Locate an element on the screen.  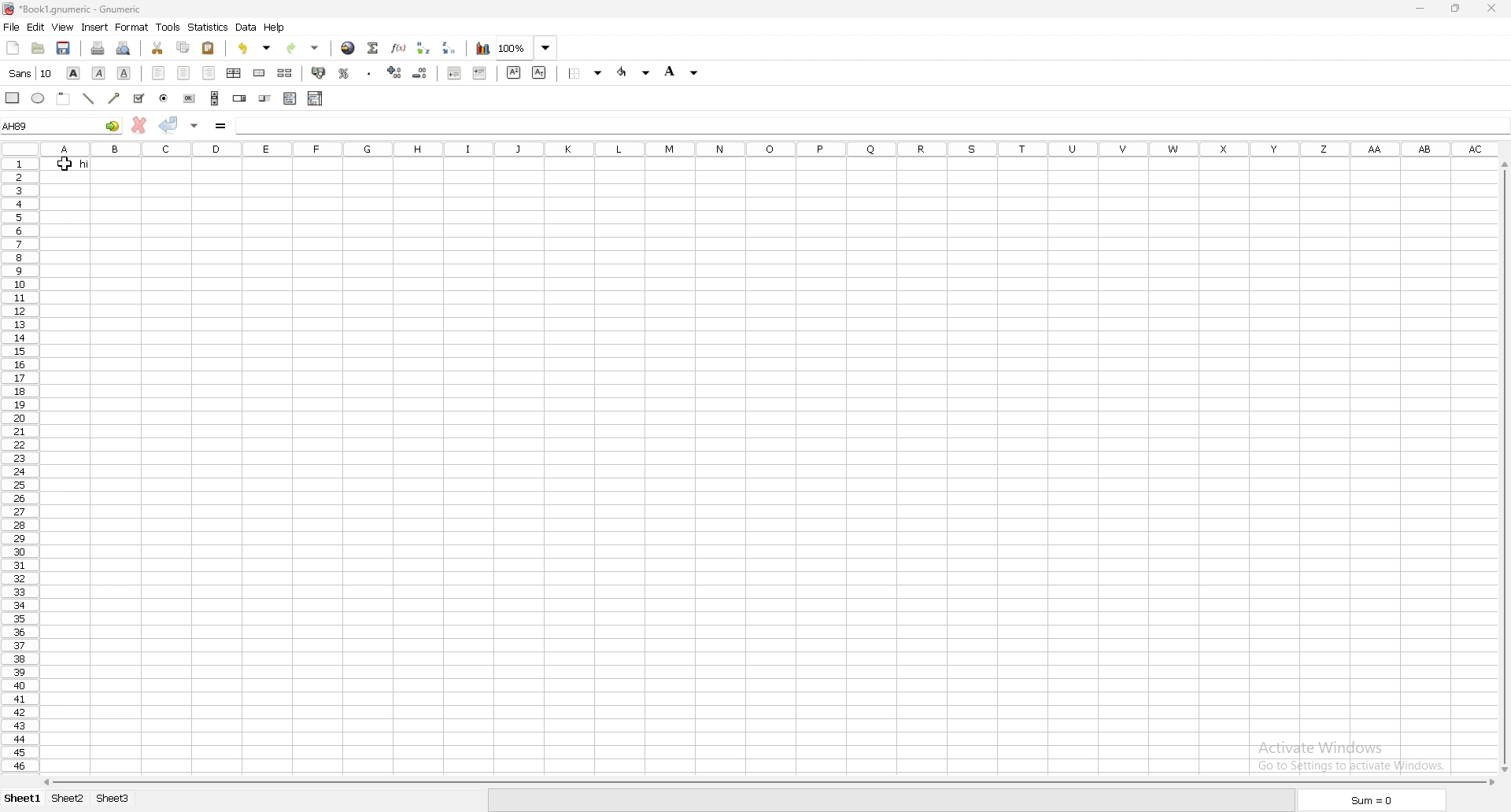
foreground is located at coordinates (634, 72).